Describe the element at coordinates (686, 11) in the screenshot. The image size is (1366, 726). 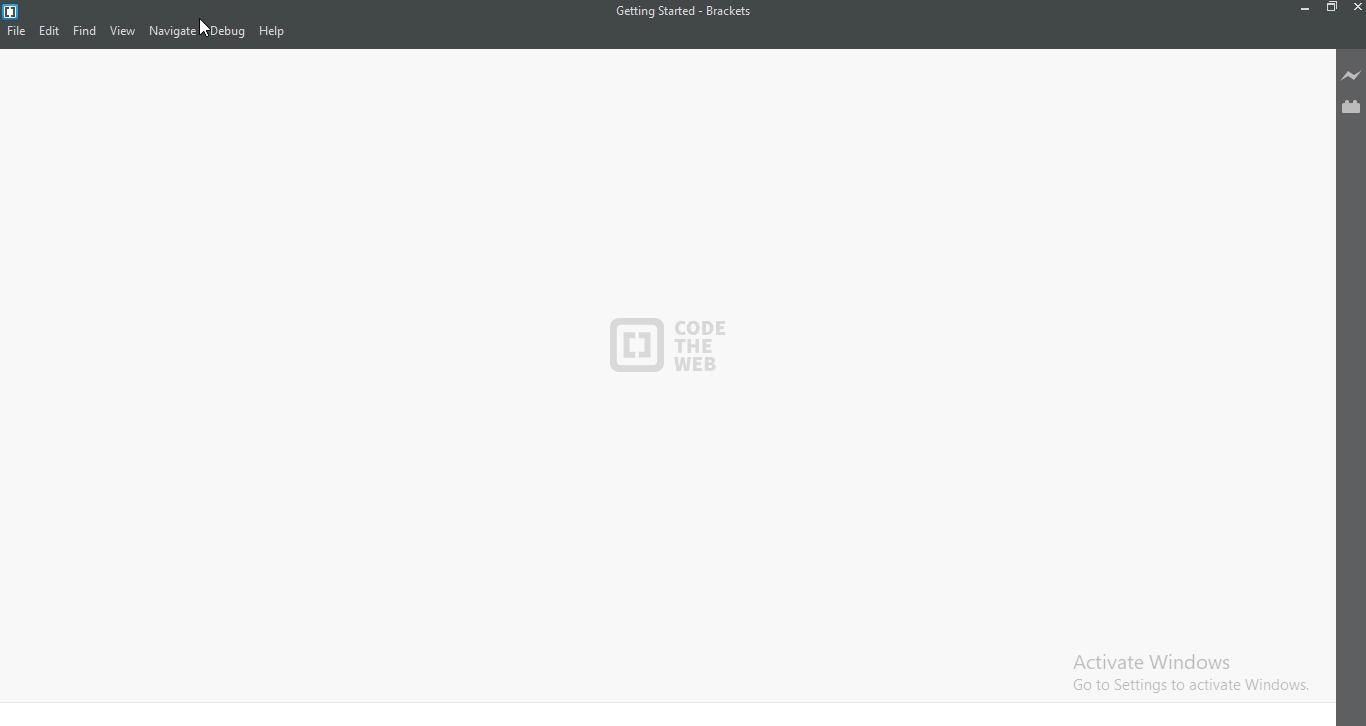
I see `Getting Started - Brackets` at that location.